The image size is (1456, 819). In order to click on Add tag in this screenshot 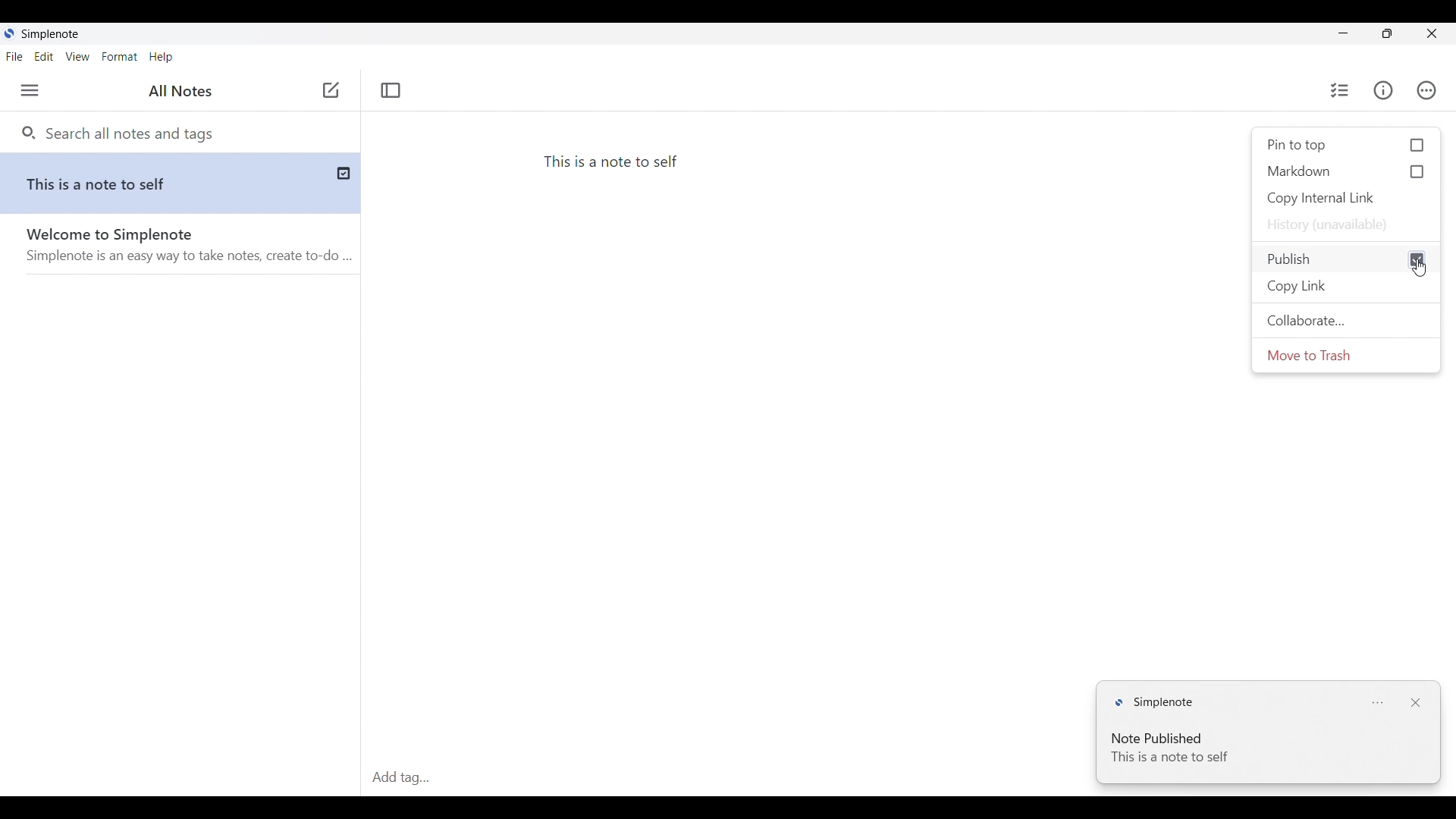, I will do `click(399, 777)`.